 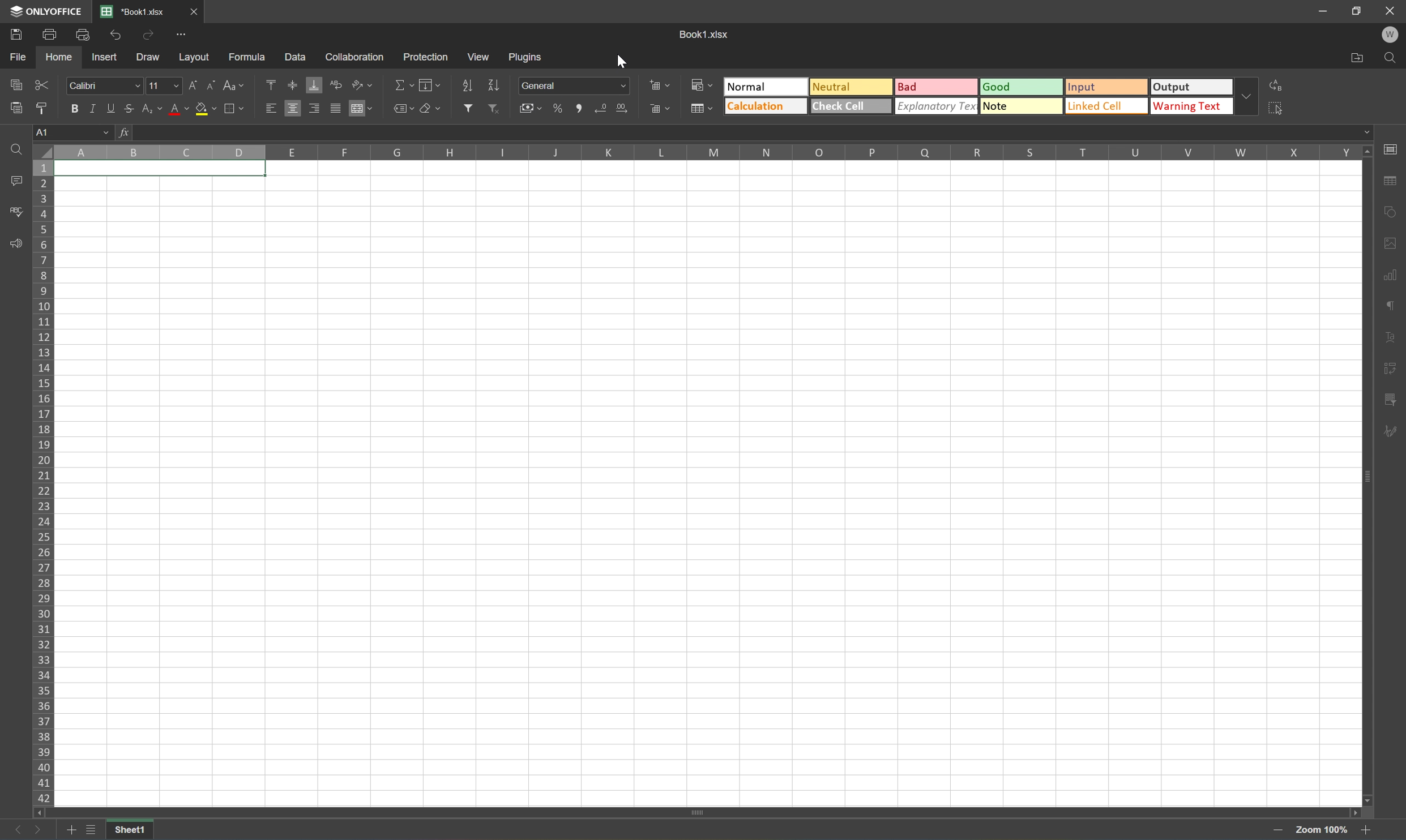 I want to click on Number formal, so click(x=574, y=85).